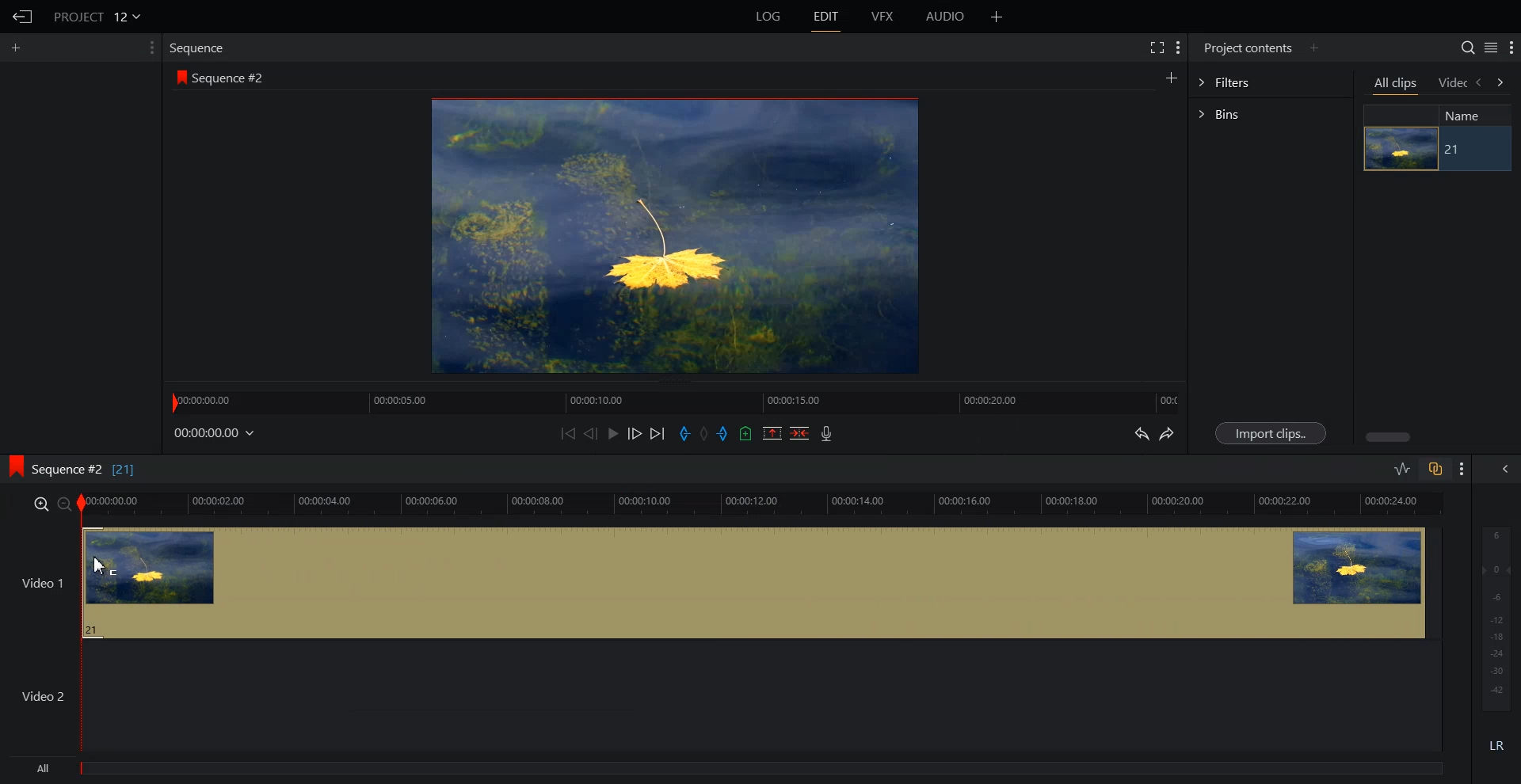 The width and height of the screenshot is (1521, 784). Describe the element at coordinates (1170, 78) in the screenshot. I see `Create Sequence` at that location.